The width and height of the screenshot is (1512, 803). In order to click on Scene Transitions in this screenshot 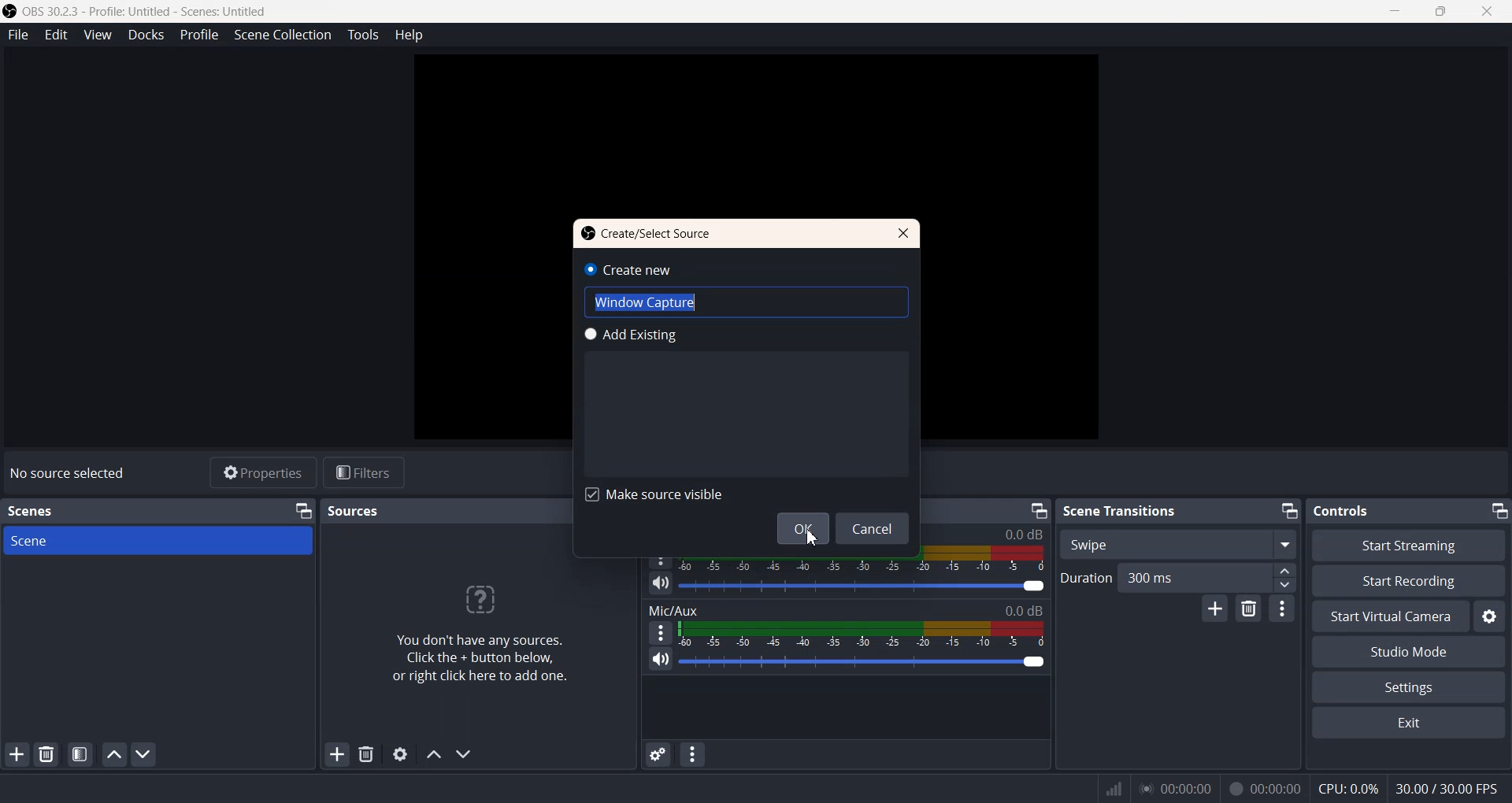, I will do `click(1121, 510)`.